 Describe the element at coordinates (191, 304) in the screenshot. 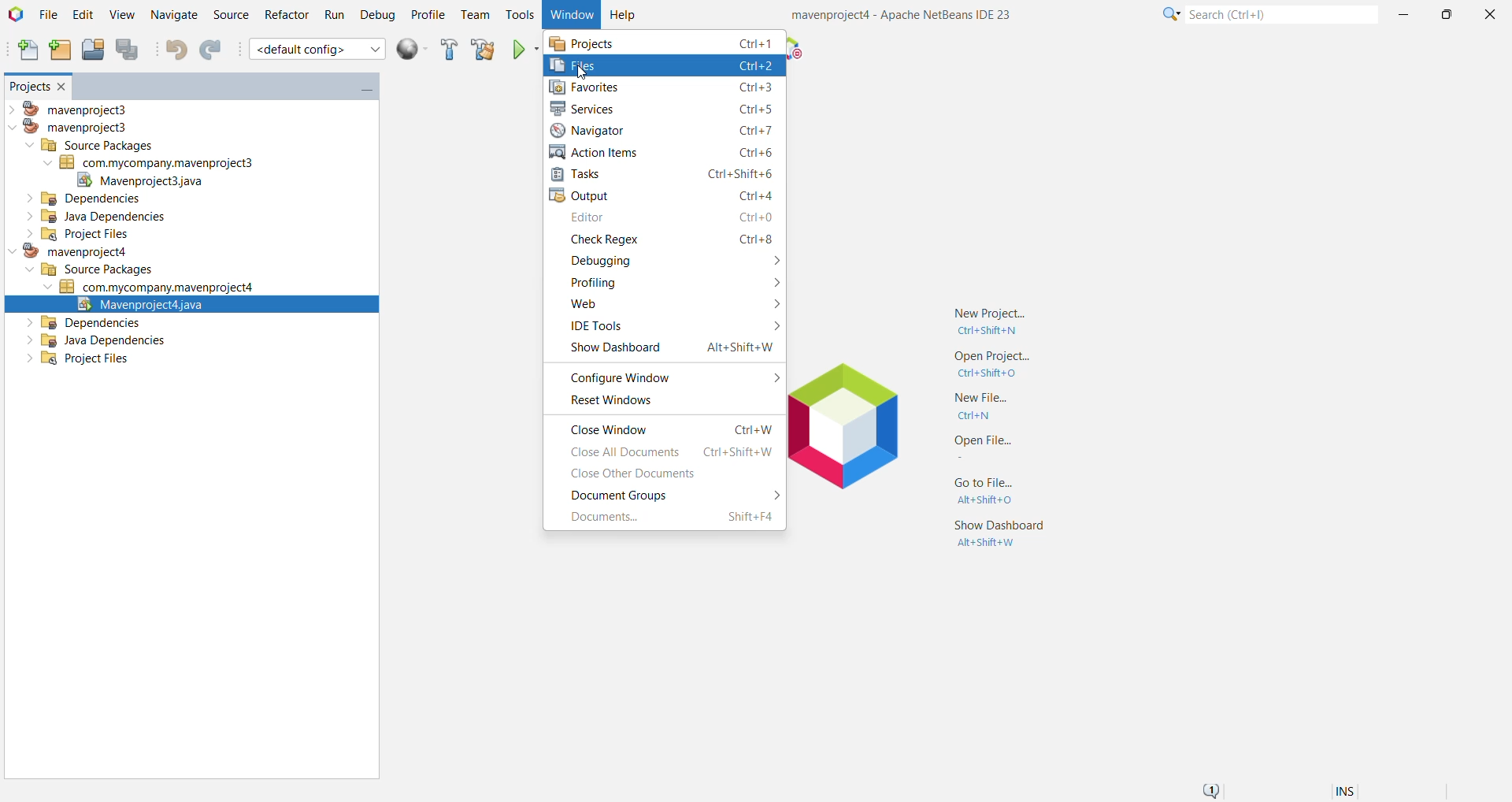

I see `Mavenproject.java` at that location.